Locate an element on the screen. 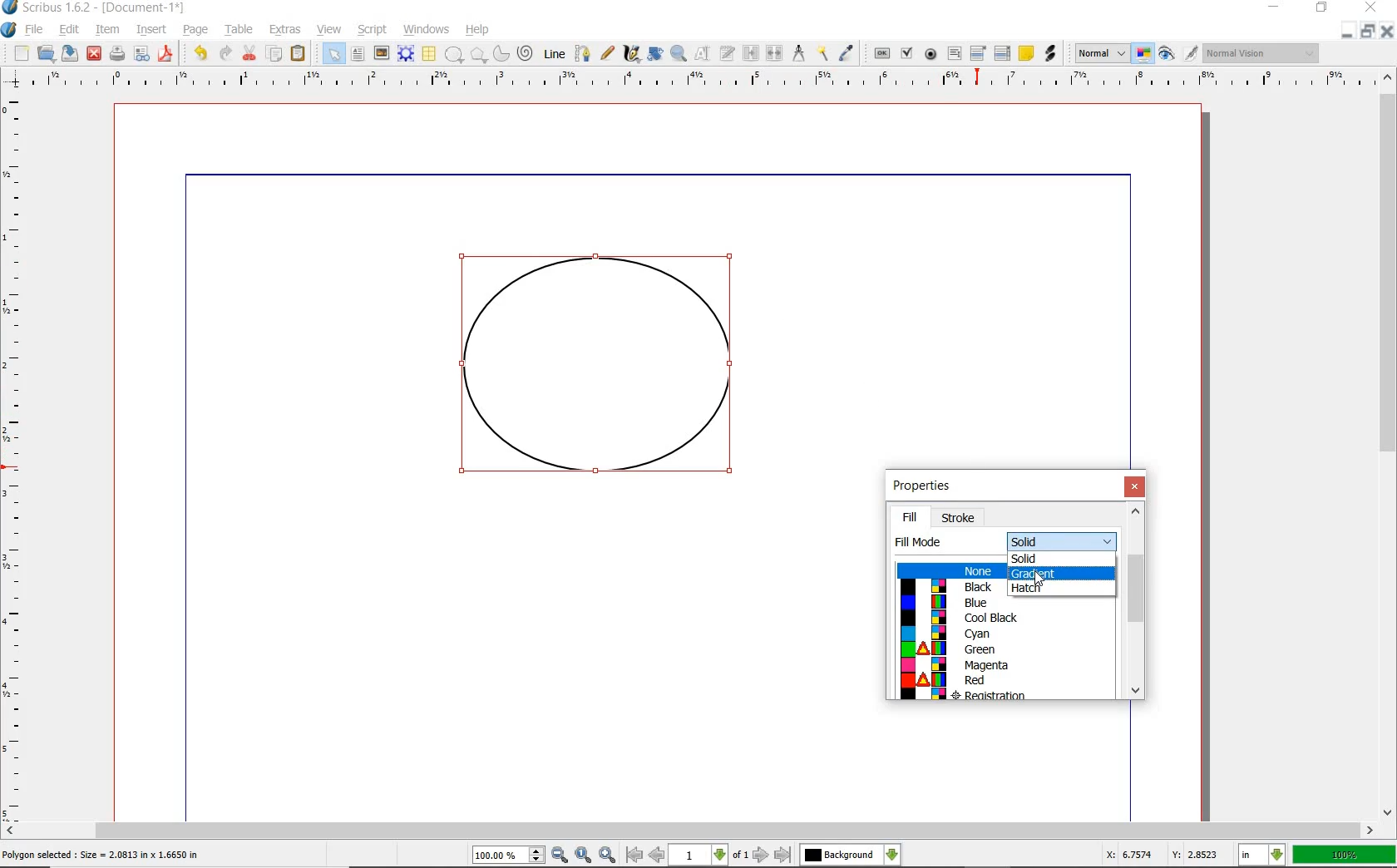 This screenshot has height=868, width=1397. BEZIER CURVE is located at coordinates (583, 53).